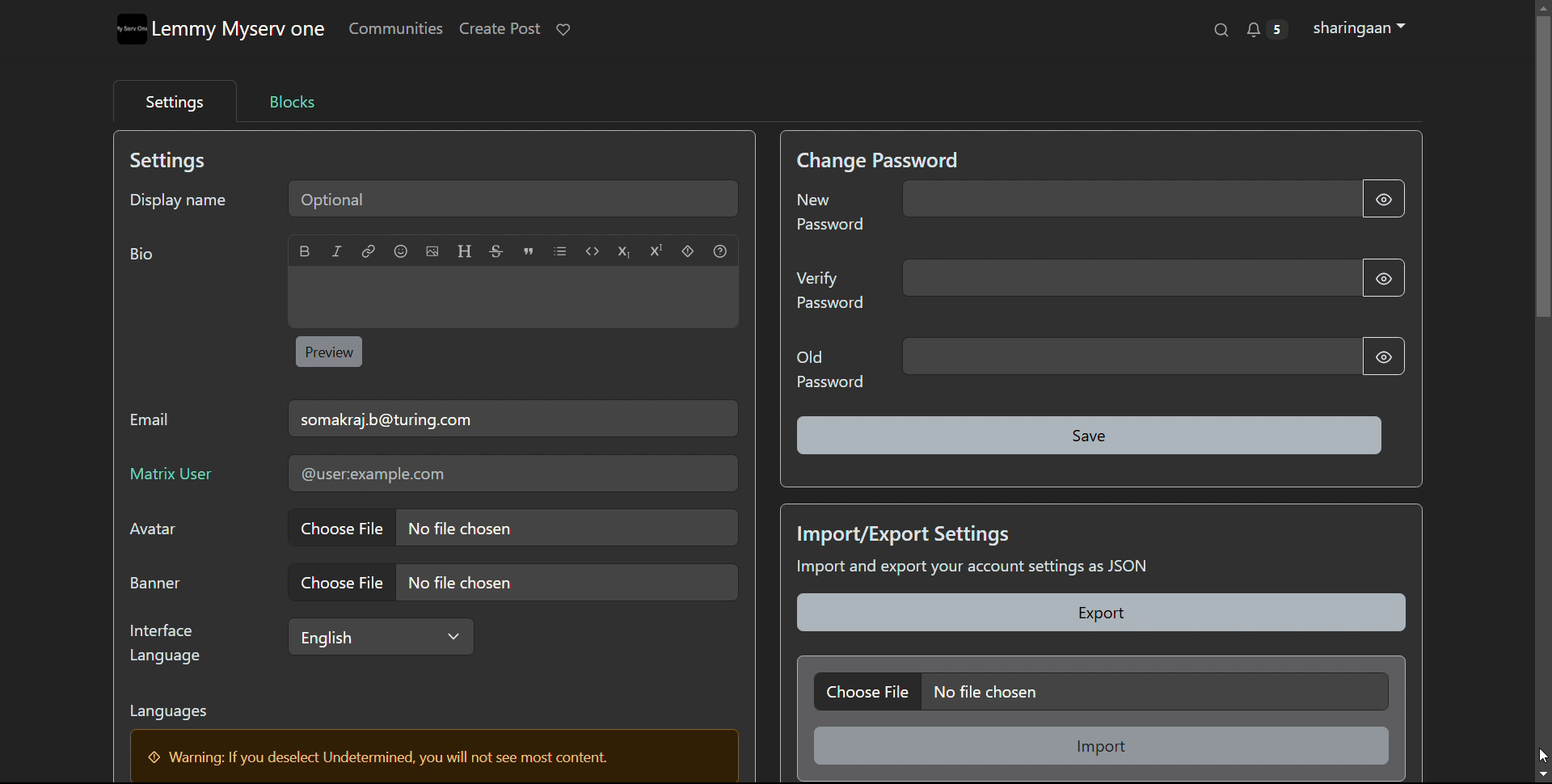  What do you see at coordinates (1220, 30) in the screenshot?
I see `search` at bounding box center [1220, 30].